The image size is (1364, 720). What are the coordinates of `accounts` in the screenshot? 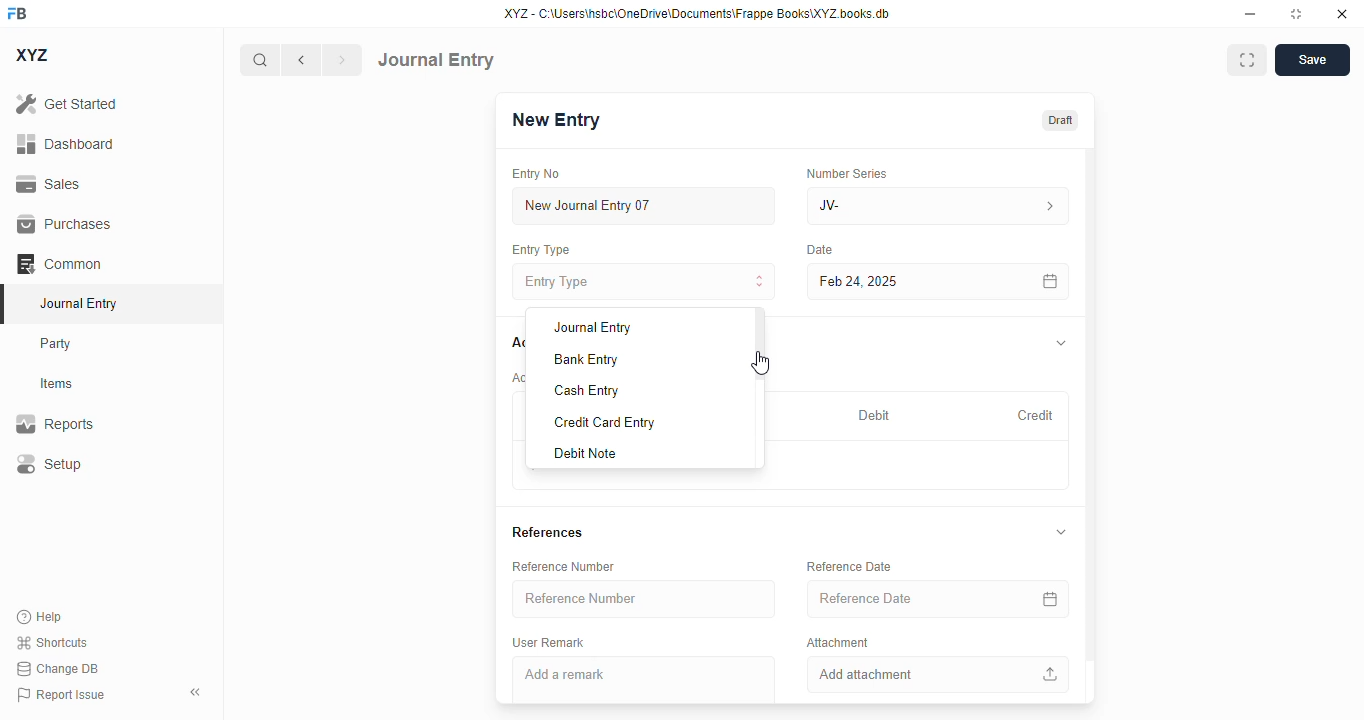 It's located at (516, 344).